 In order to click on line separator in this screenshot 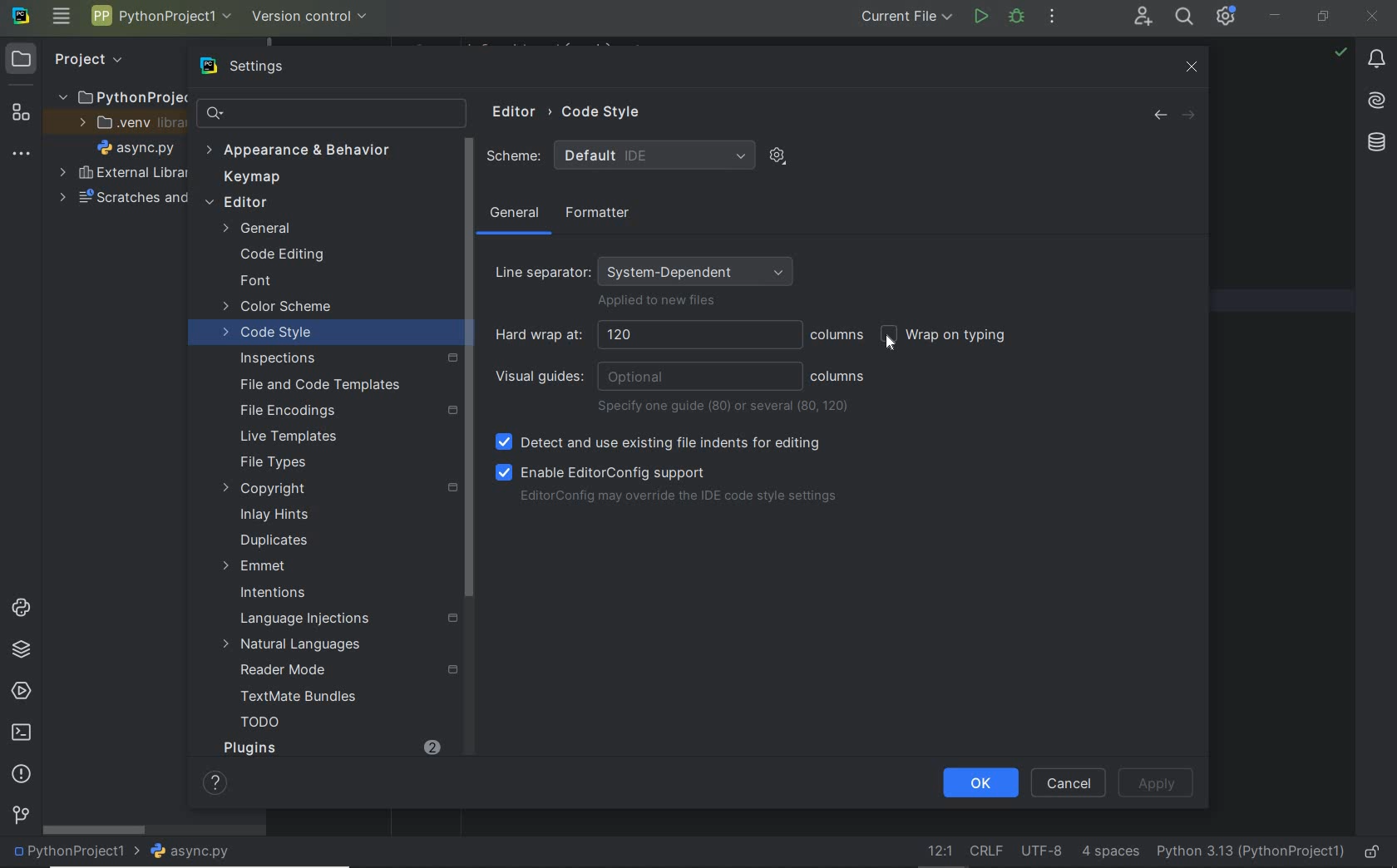, I will do `click(987, 852)`.